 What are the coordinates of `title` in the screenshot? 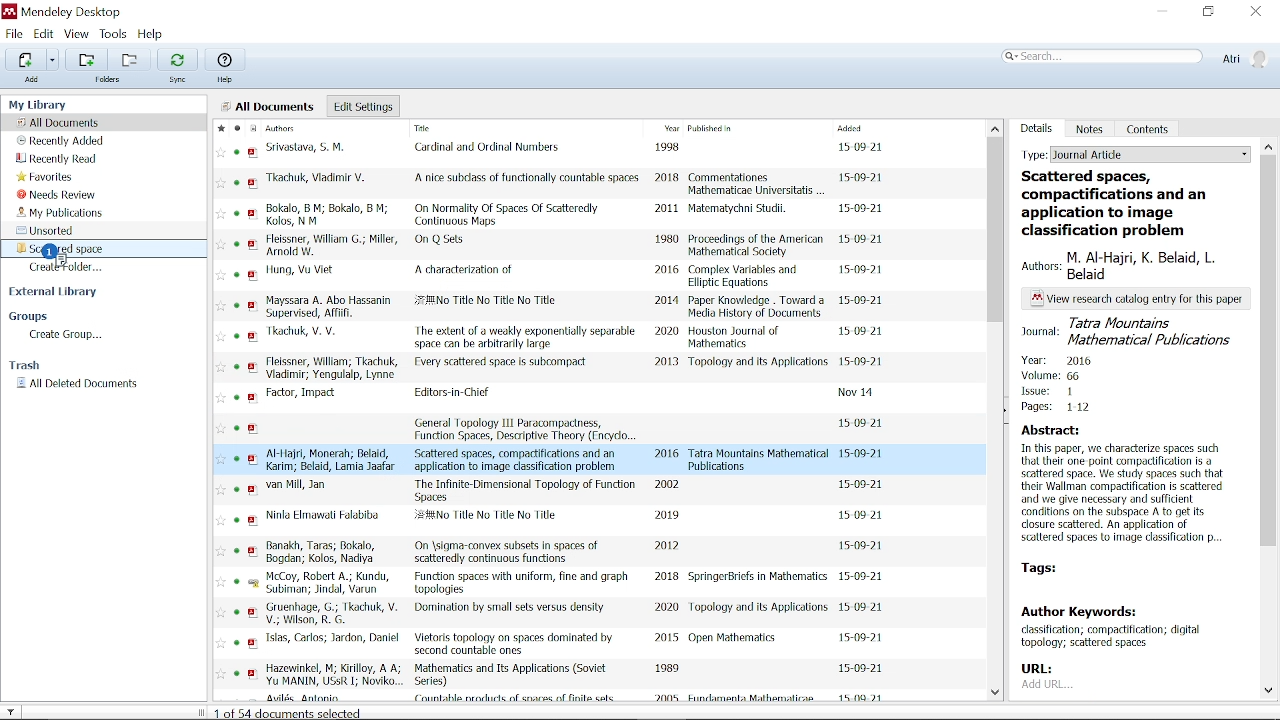 It's located at (444, 241).